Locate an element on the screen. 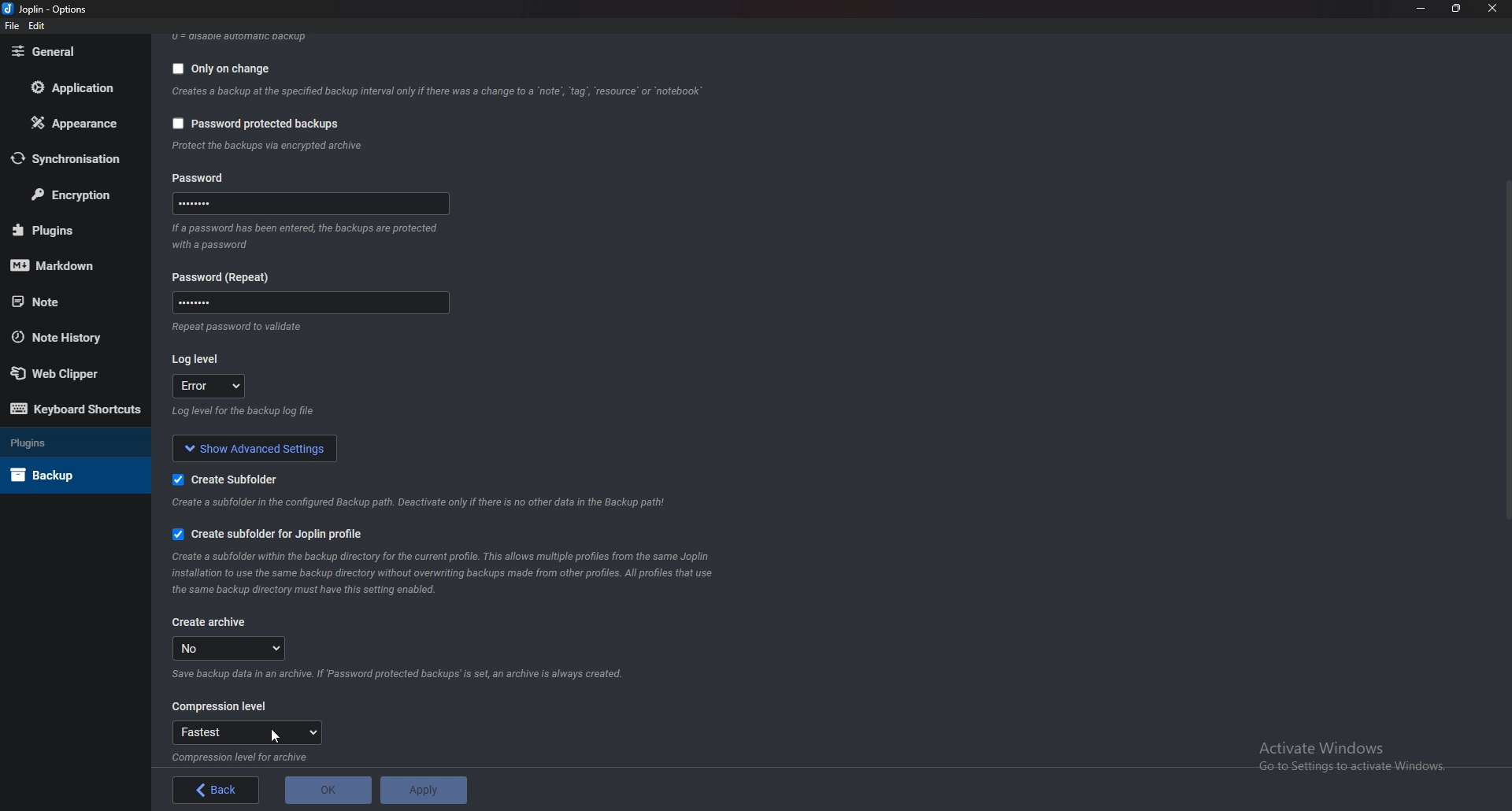 The width and height of the screenshot is (1512, 811). Application is located at coordinates (80, 87).